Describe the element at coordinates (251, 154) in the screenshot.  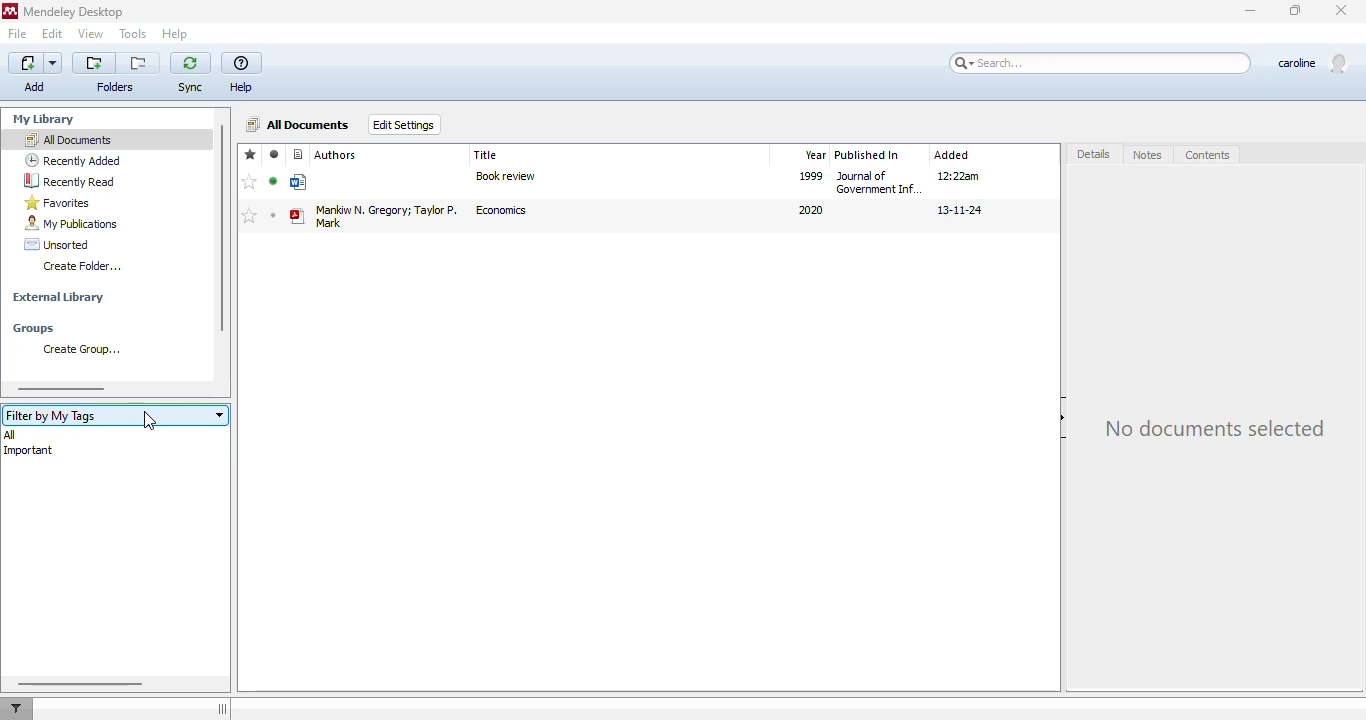
I see `favorites` at that location.